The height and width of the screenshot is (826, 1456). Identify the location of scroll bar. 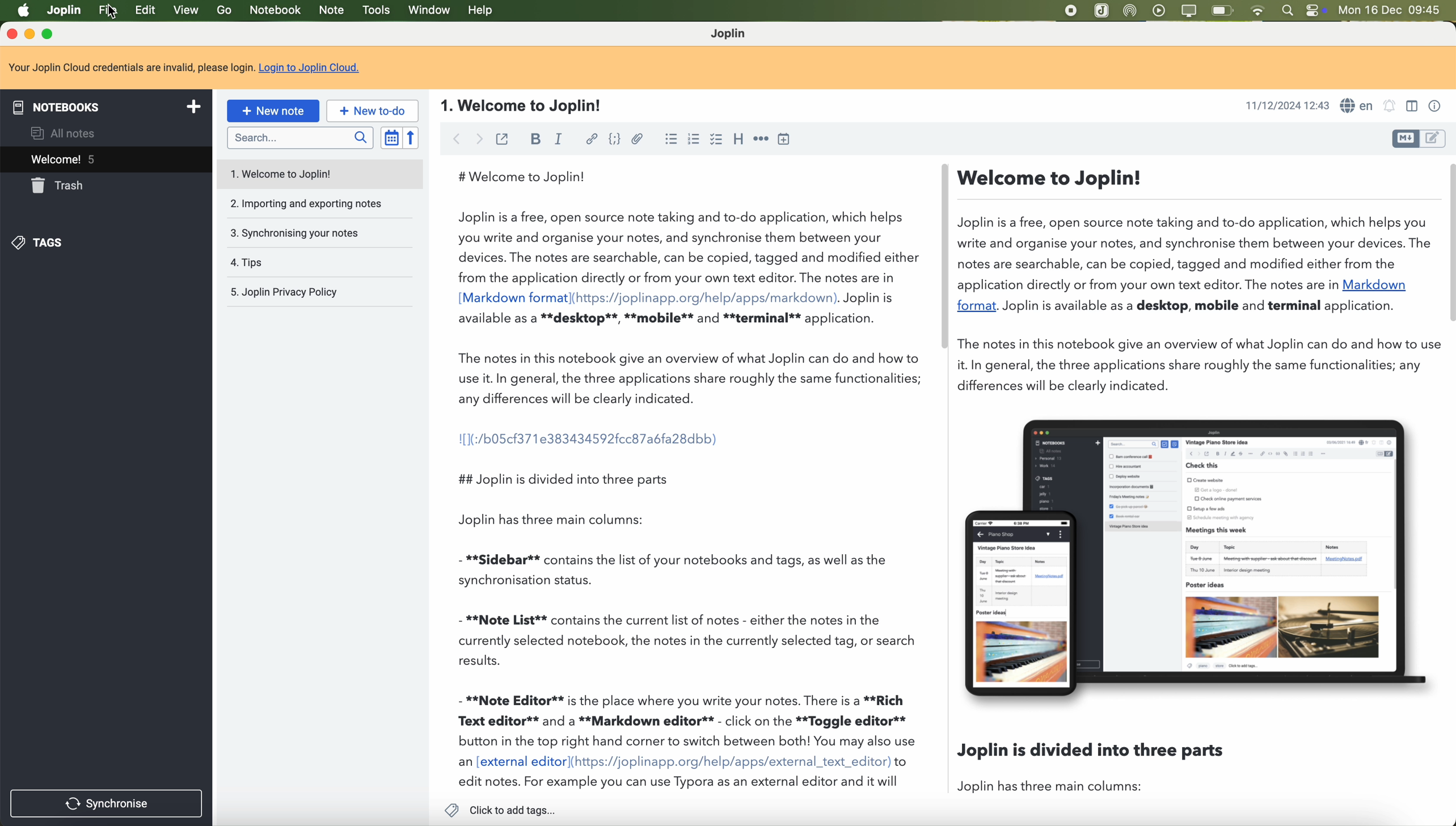
(1446, 244).